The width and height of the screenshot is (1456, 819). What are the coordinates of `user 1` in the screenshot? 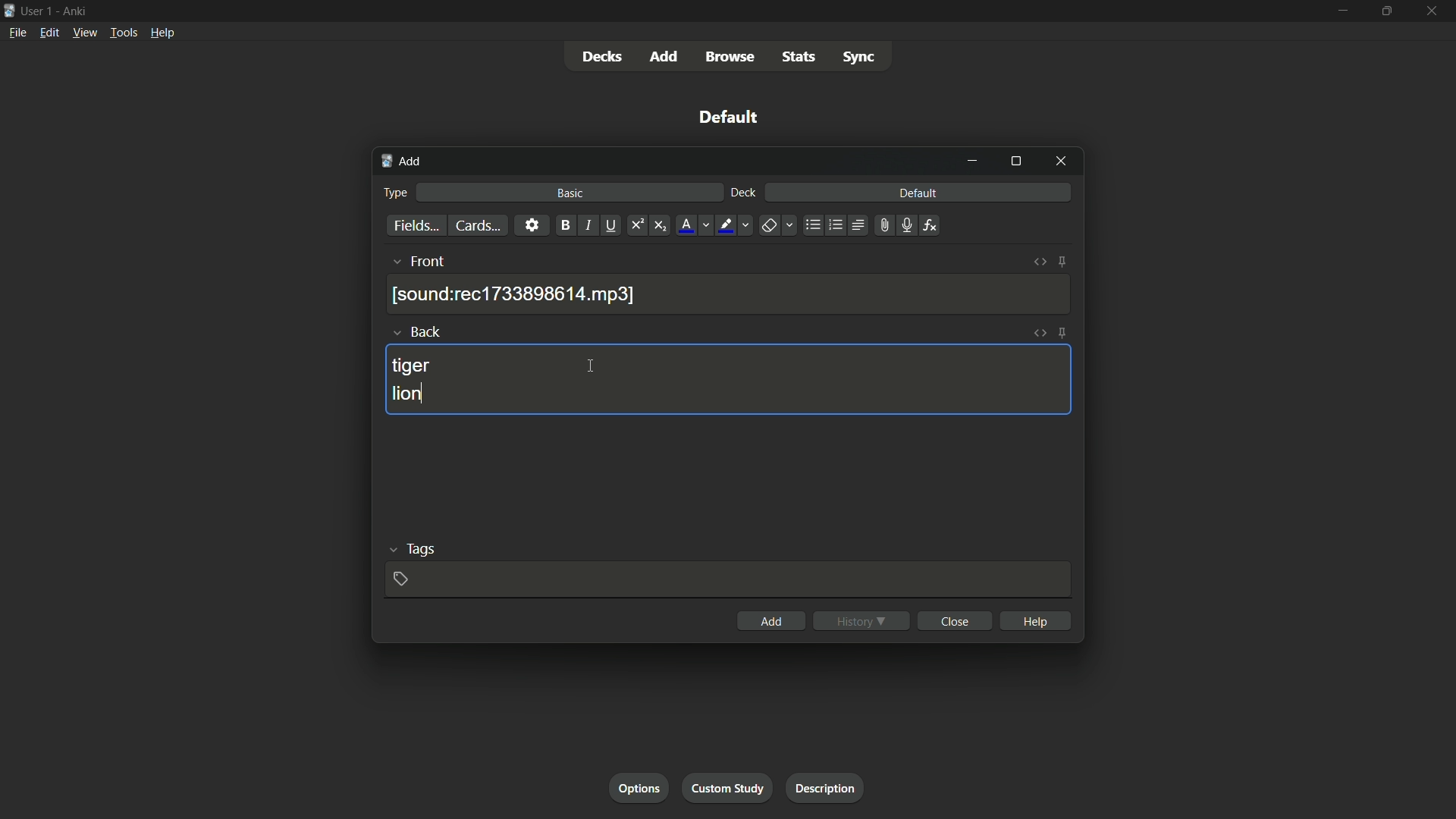 It's located at (38, 10).